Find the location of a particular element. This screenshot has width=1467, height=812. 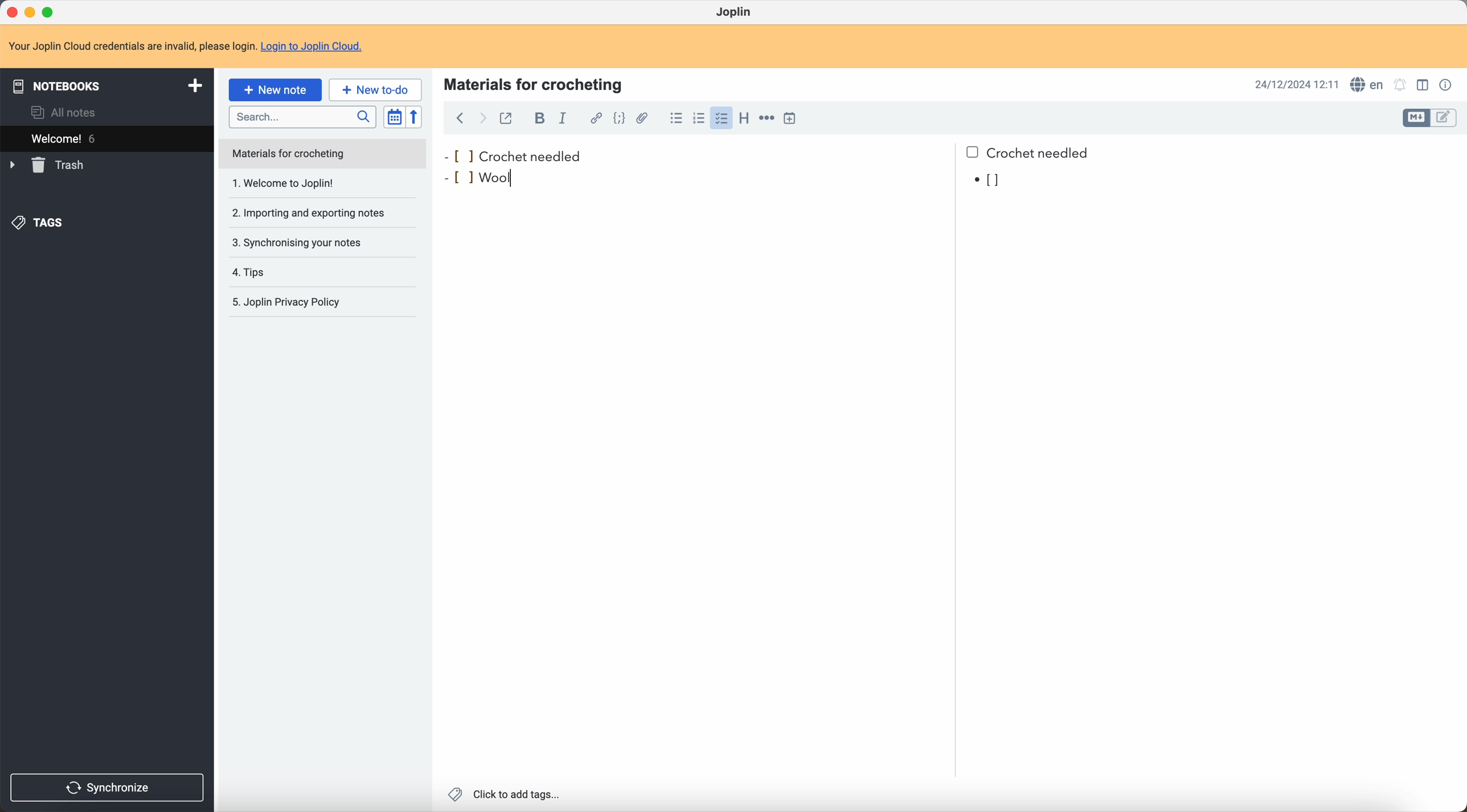

bullet point is located at coordinates (453, 179).